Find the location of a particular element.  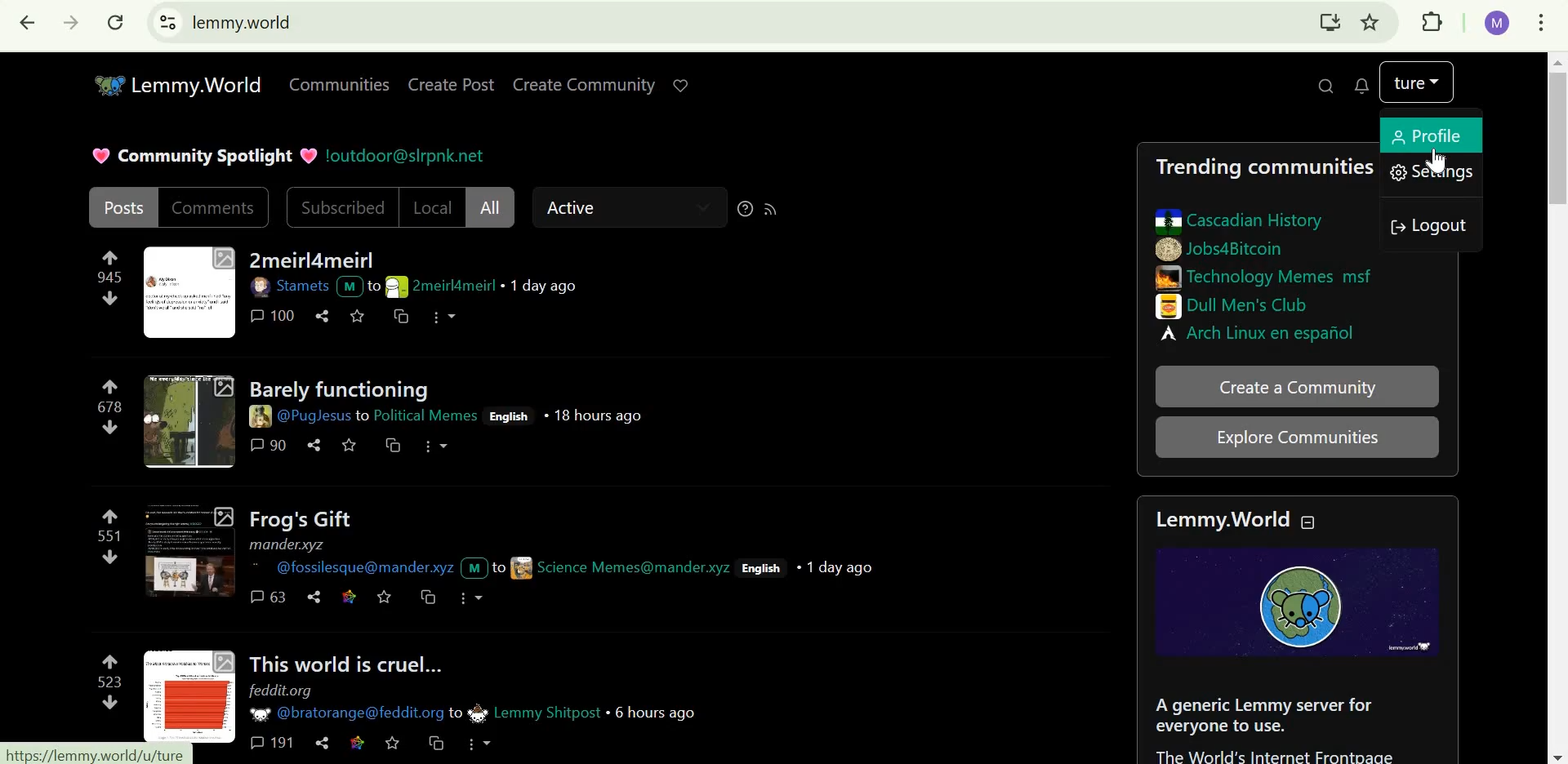

explore communities is located at coordinates (1297, 438).